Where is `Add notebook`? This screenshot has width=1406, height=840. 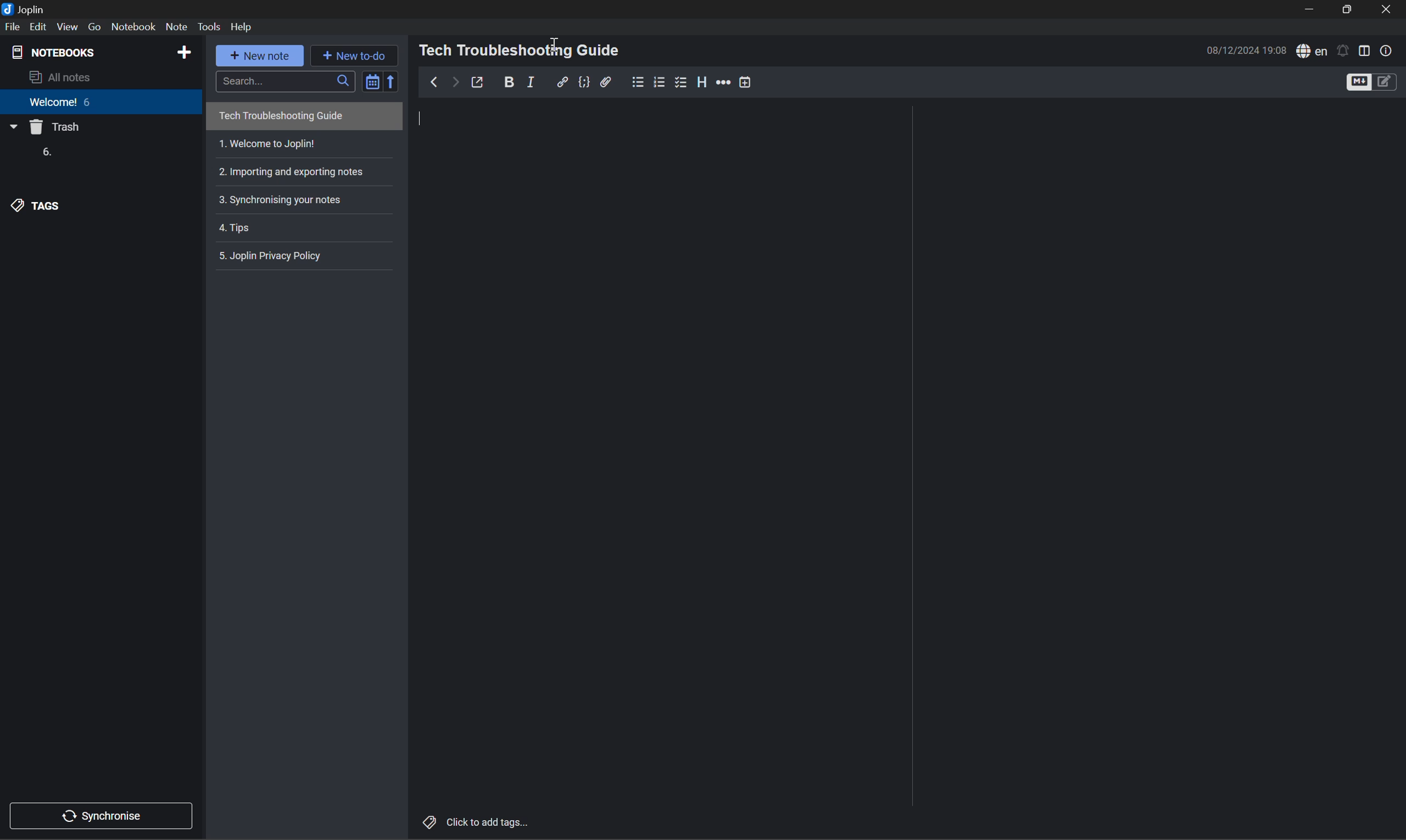
Add notebook is located at coordinates (184, 51).